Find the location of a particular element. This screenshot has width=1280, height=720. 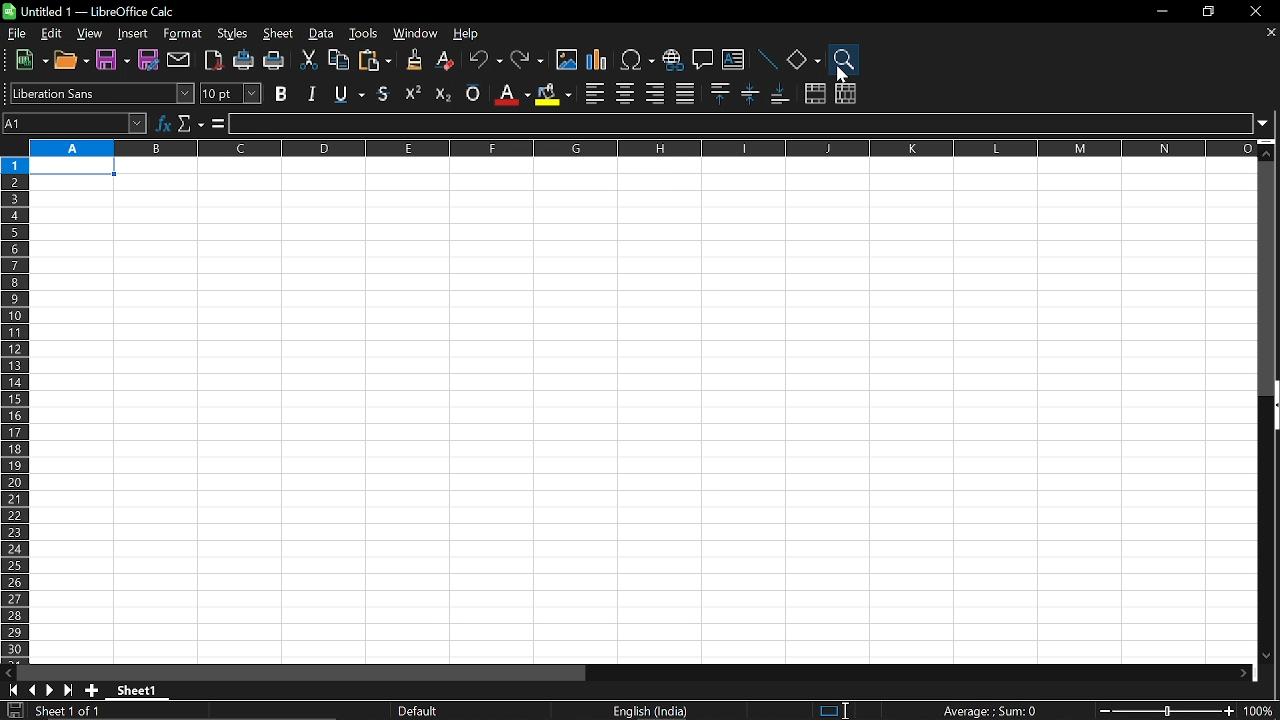

clone formatting is located at coordinates (410, 59).